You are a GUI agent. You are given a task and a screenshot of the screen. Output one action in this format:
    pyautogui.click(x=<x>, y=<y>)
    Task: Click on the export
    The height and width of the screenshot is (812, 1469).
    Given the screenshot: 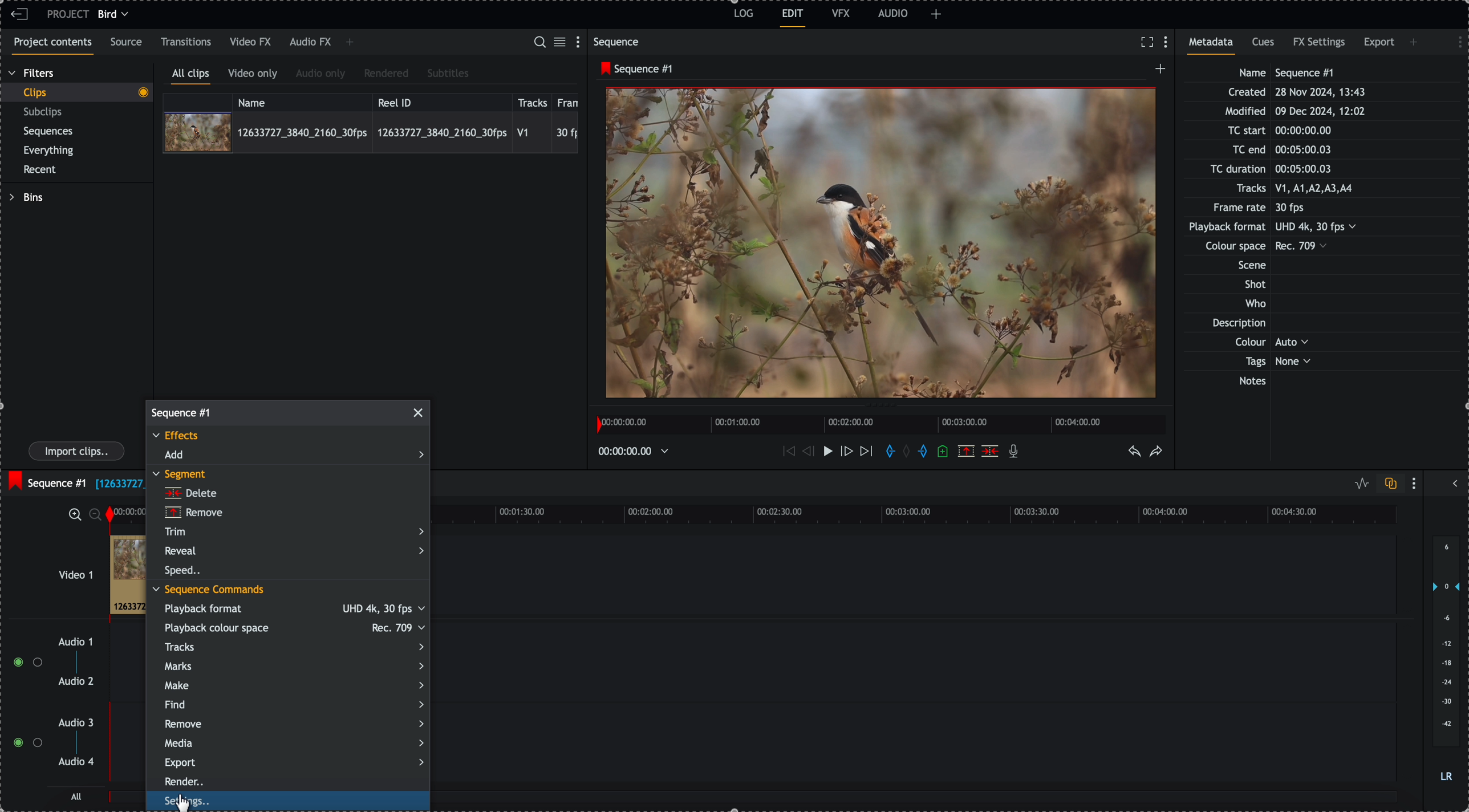 What is the action you would take?
    pyautogui.click(x=294, y=762)
    